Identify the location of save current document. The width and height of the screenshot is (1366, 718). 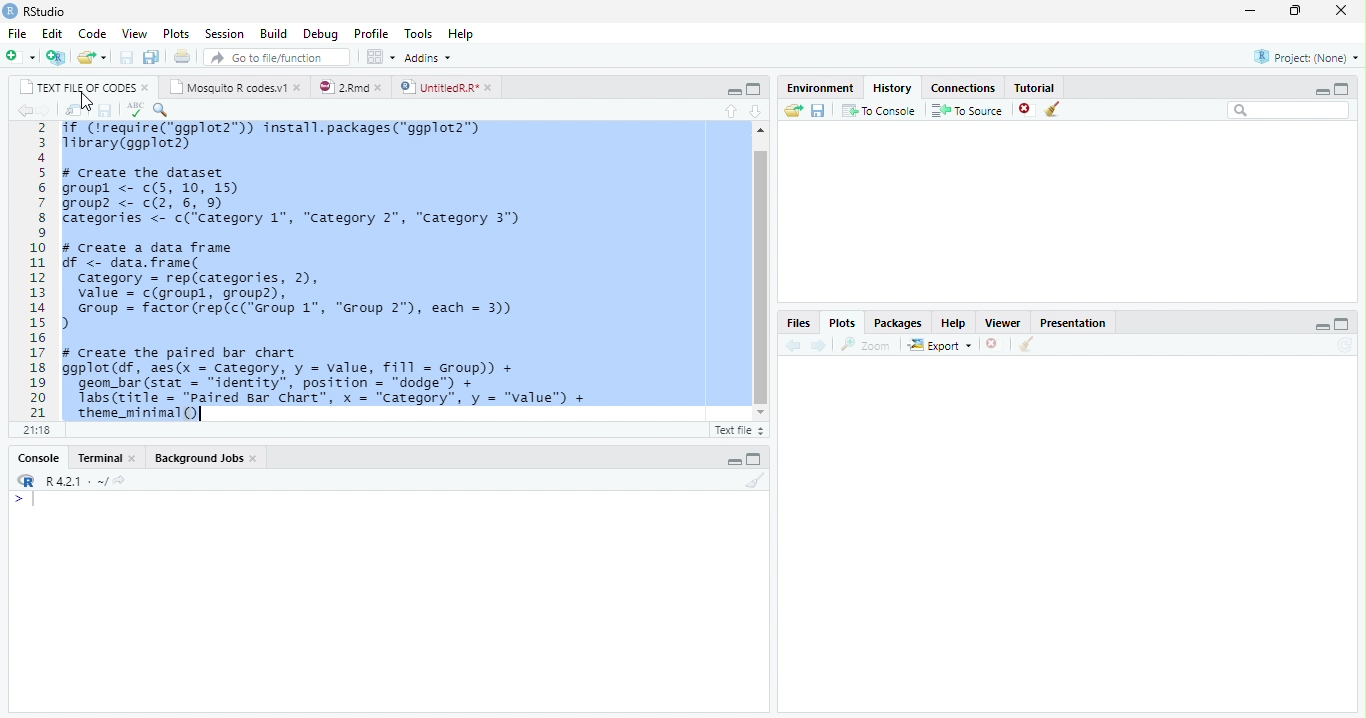
(126, 57).